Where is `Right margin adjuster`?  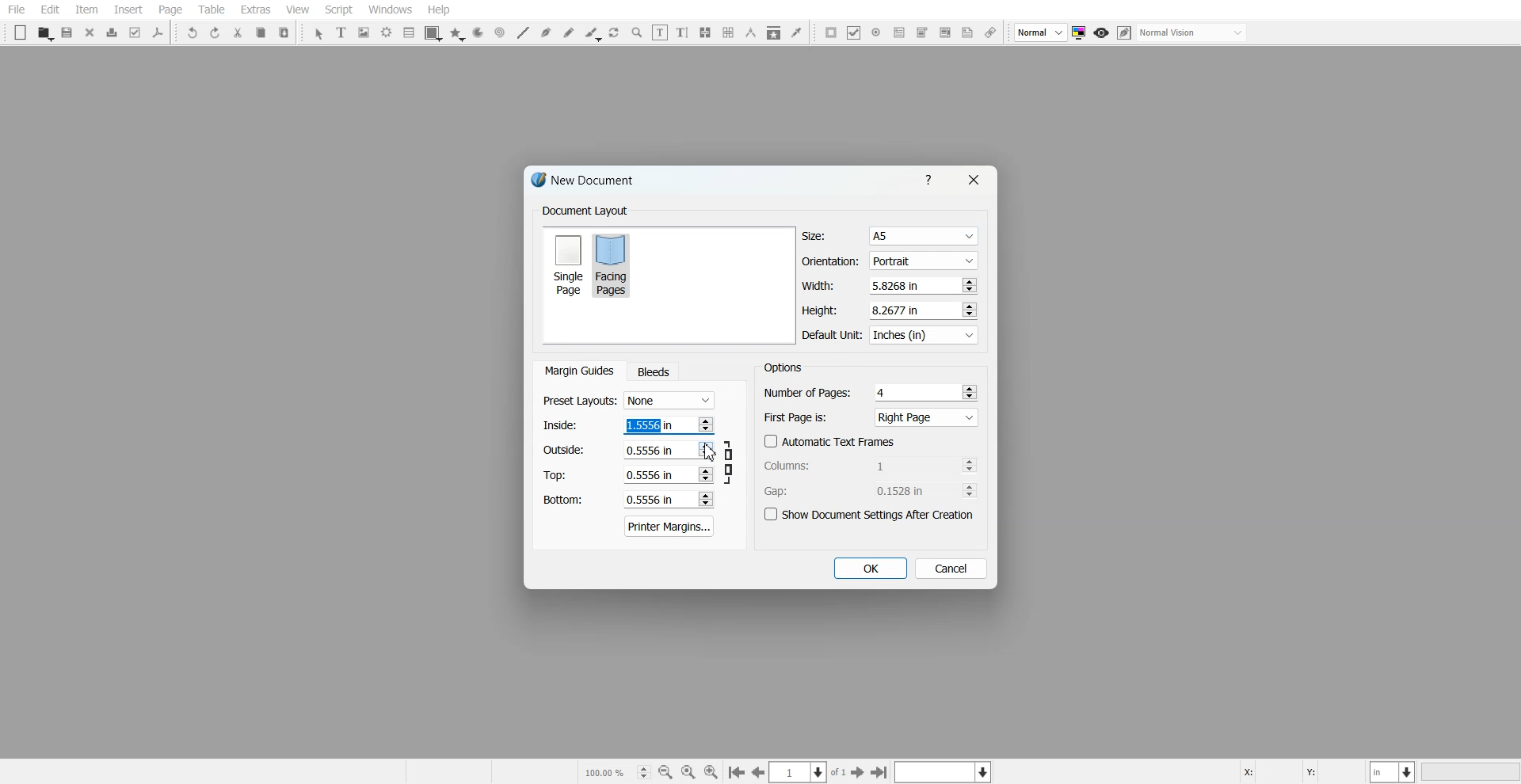 Right margin adjuster is located at coordinates (629, 450).